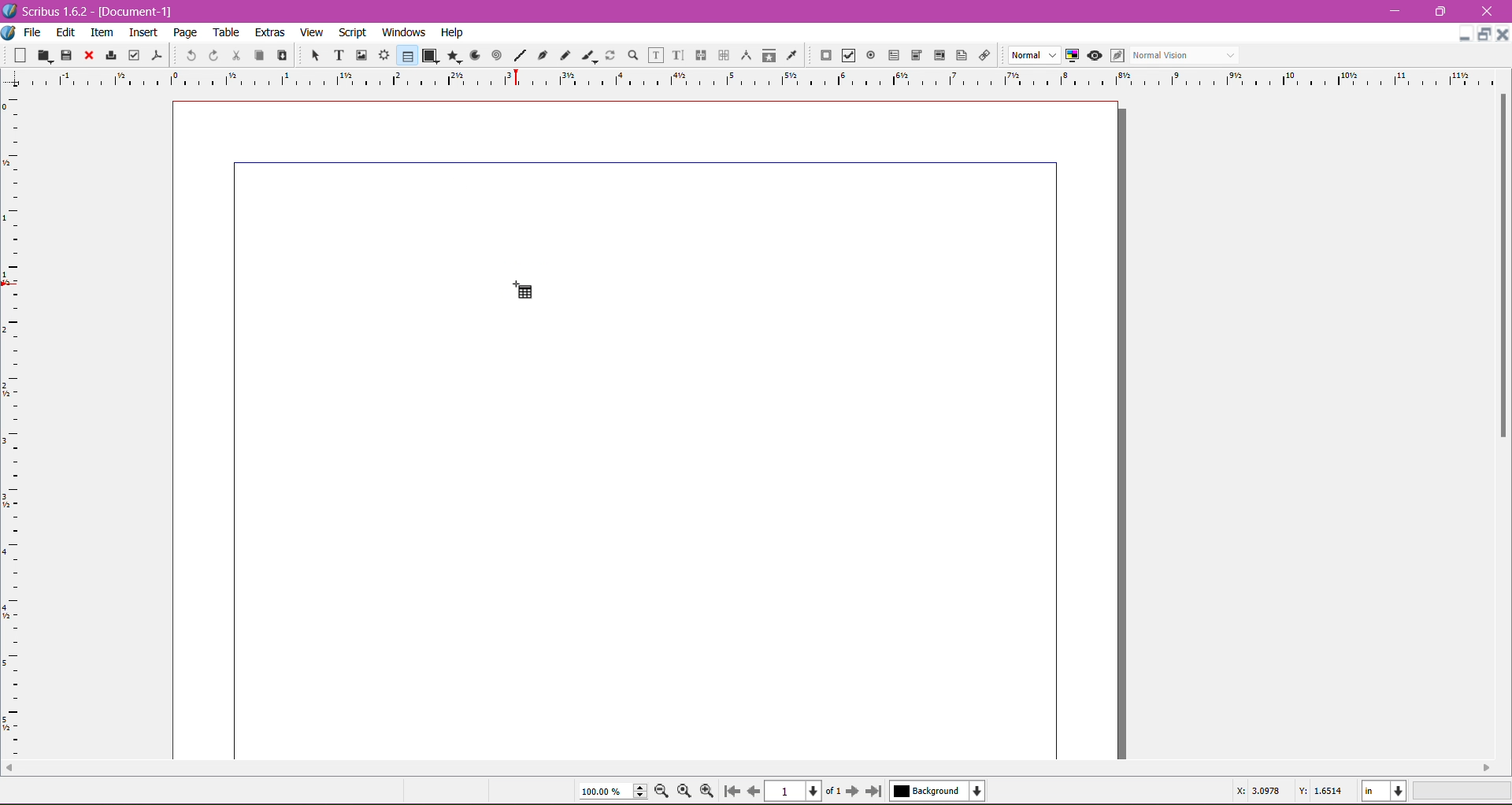  I want to click on Rotate Them, so click(609, 54).